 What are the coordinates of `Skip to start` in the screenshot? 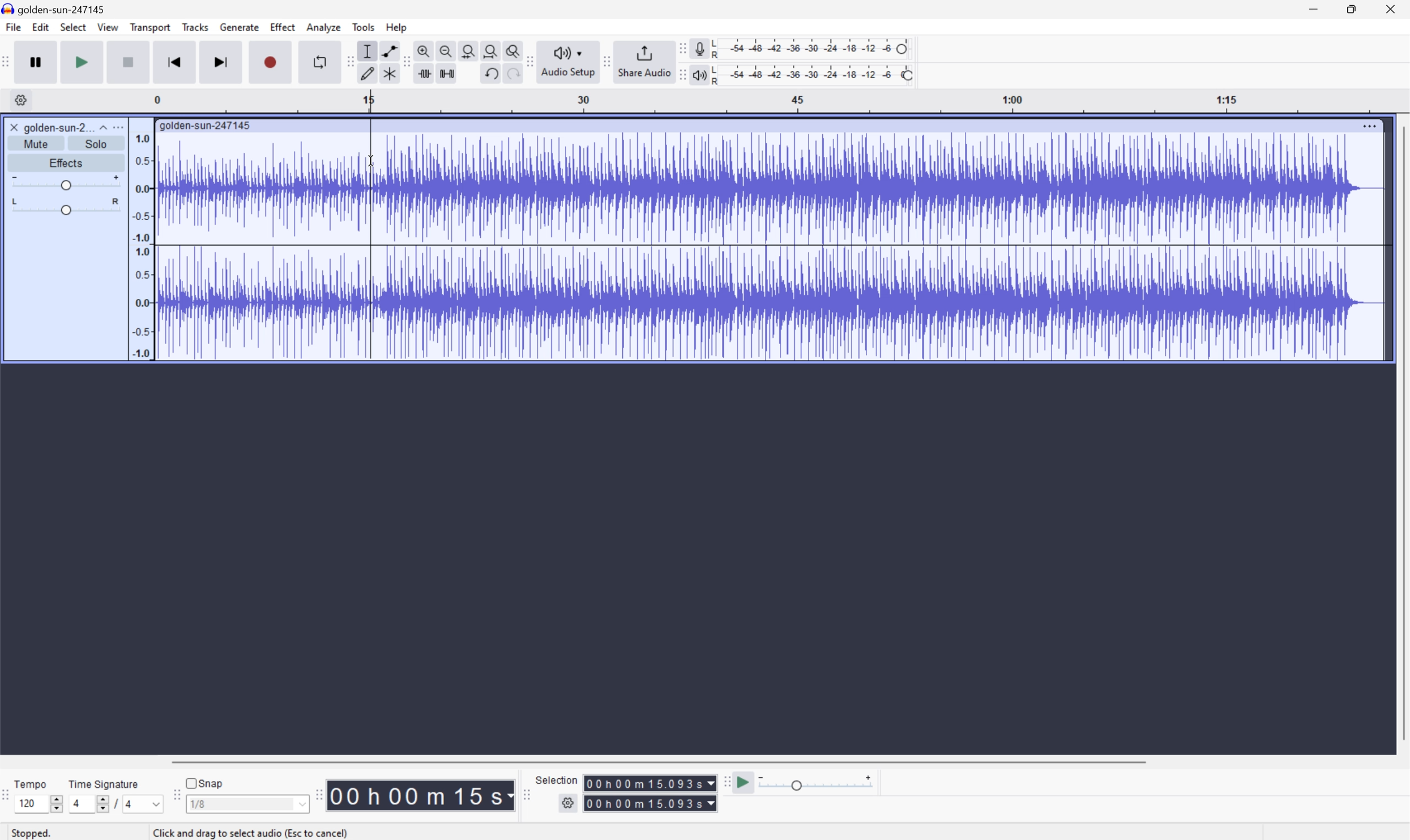 It's located at (176, 62).